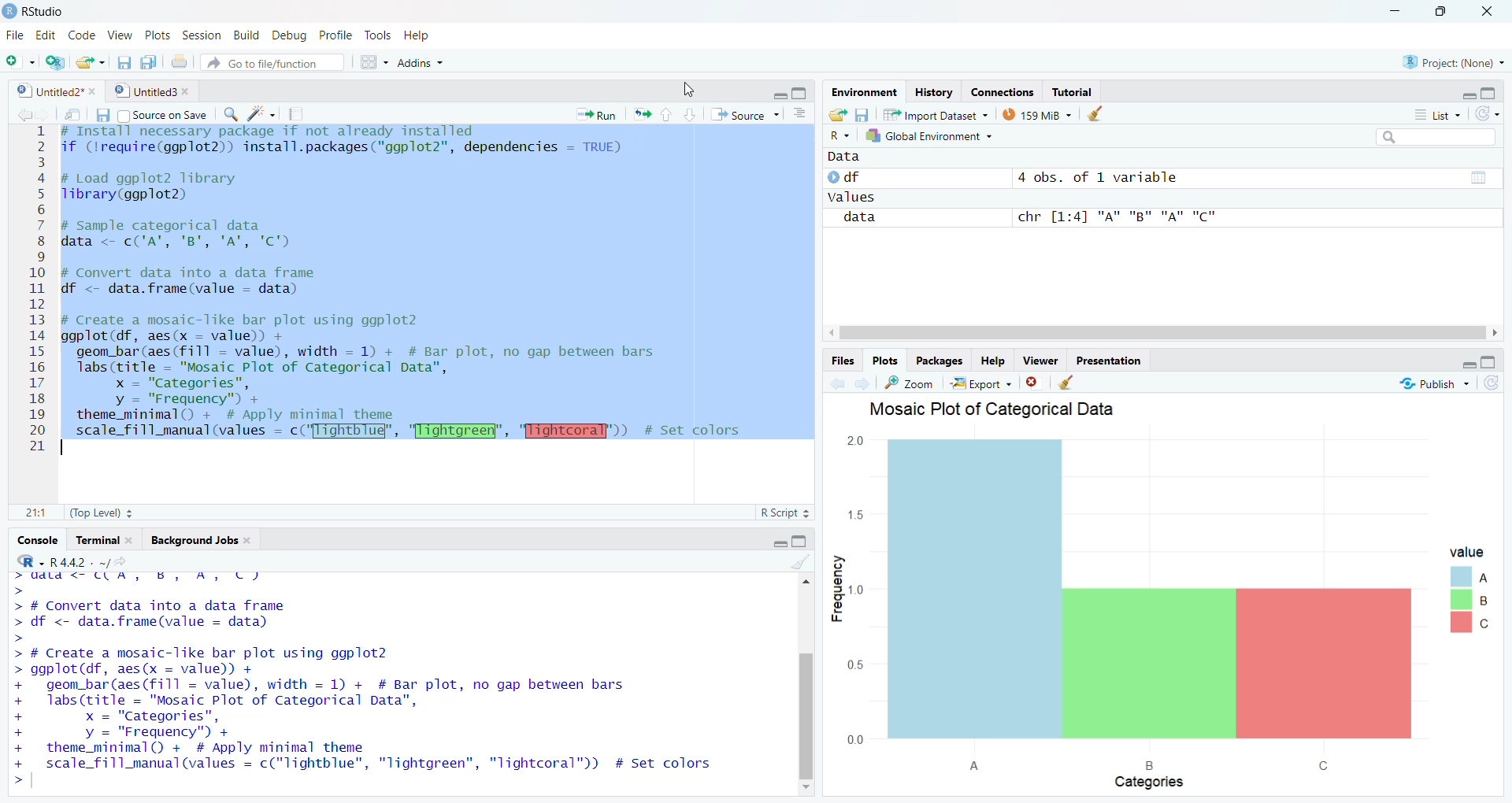 This screenshot has width=1512, height=803. Describe the element at coordinates (854, 198) in the screenshot. I see `Values` at that location.